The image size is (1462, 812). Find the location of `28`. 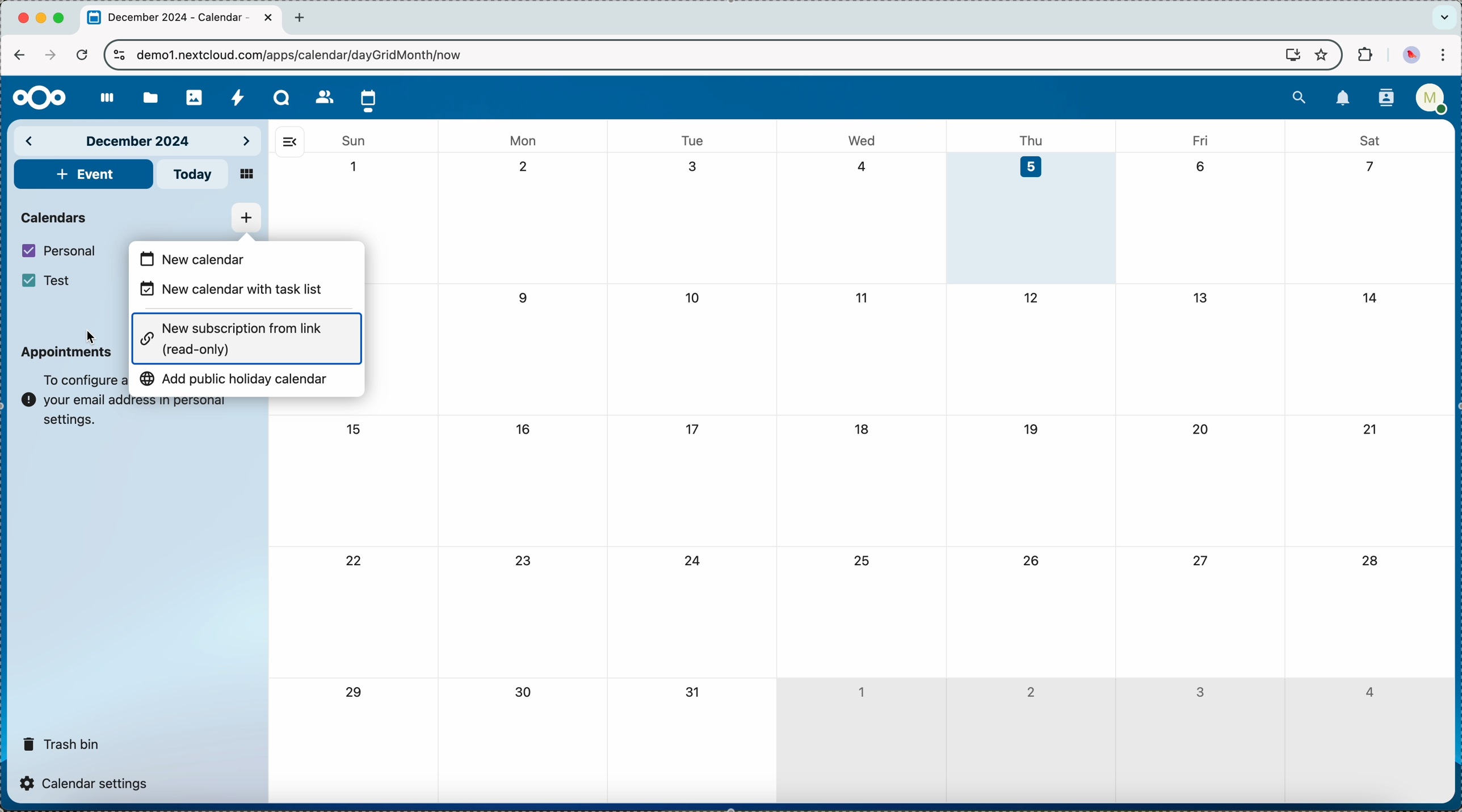

28 is located at coordinates (1369, 562).